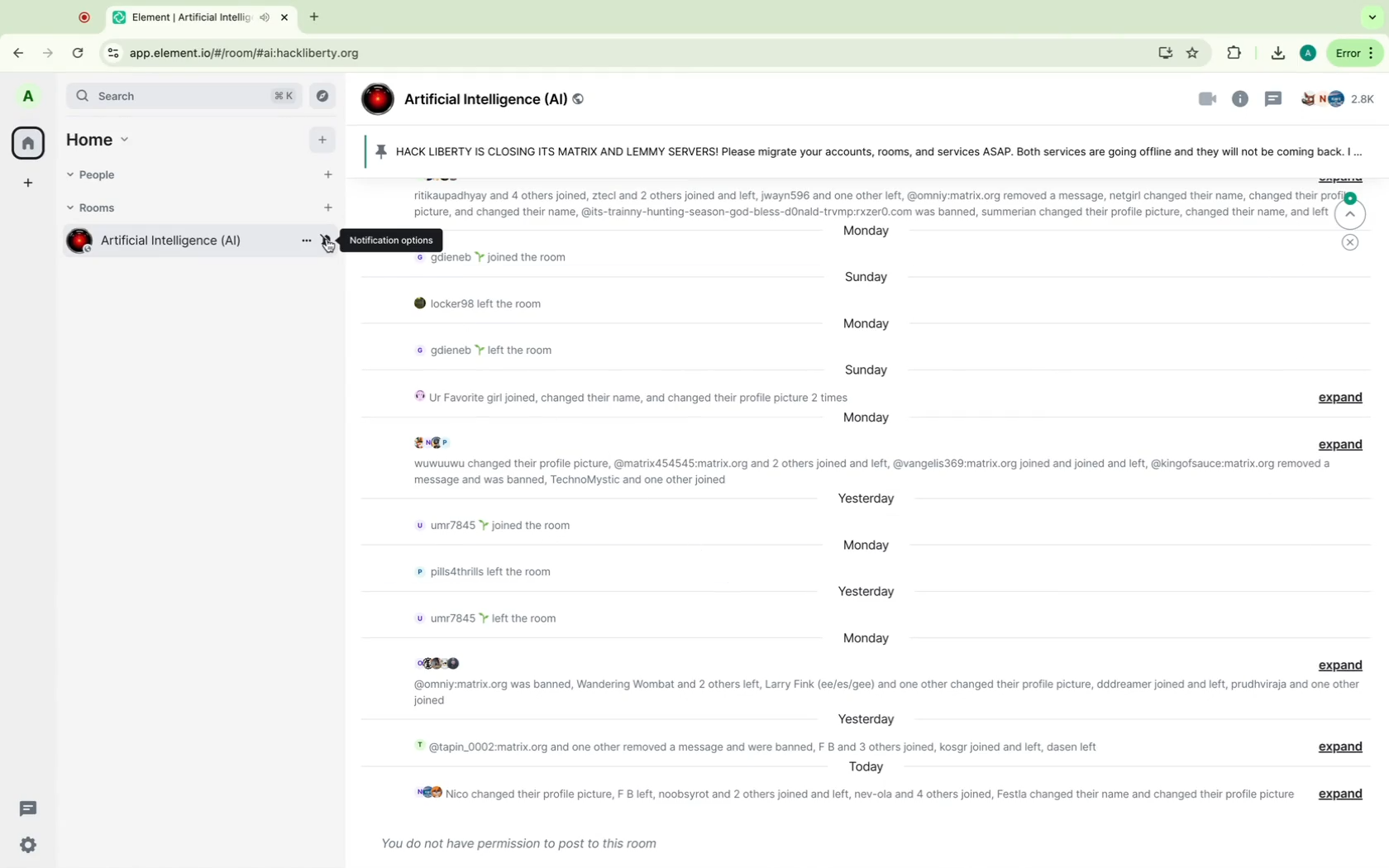 The height and width of the screenshot is (868, 1389). What do you see at coordinates (1339, 794) in the screenshot?
I see `message` at bounding box center [1339, 794].